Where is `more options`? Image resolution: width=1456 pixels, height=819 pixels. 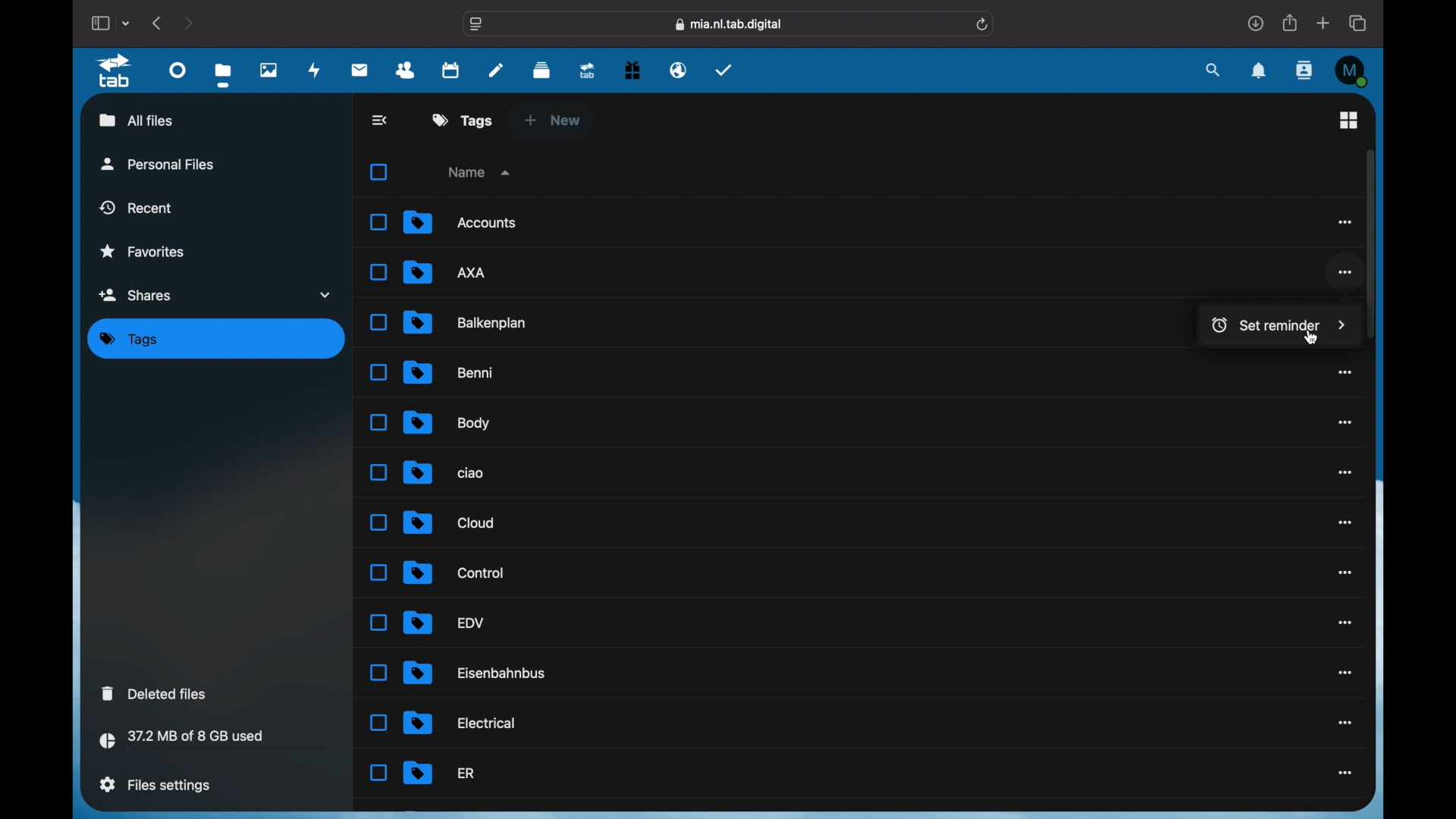
more options is located at coordinates (1345, 773).